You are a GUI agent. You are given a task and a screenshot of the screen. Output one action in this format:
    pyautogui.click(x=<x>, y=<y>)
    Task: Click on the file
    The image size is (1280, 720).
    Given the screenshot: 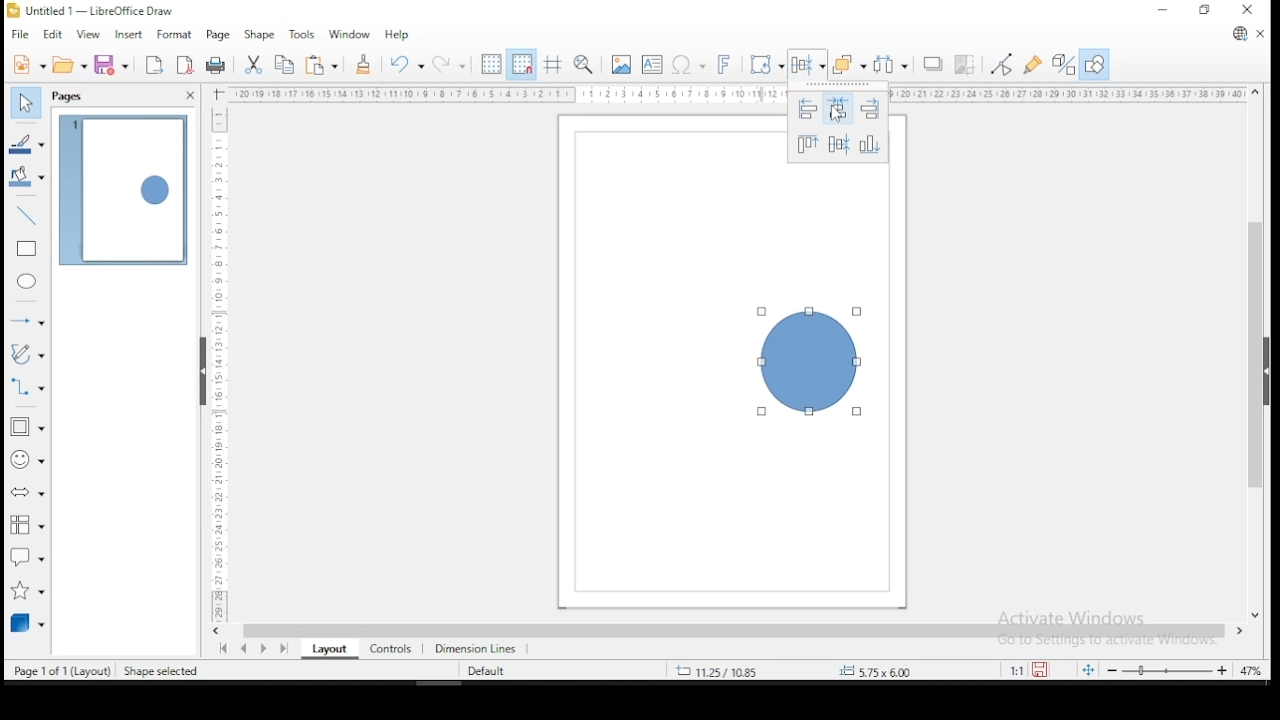 What is the action you would take?
    pyautogui.click(x=21, y=35)
    